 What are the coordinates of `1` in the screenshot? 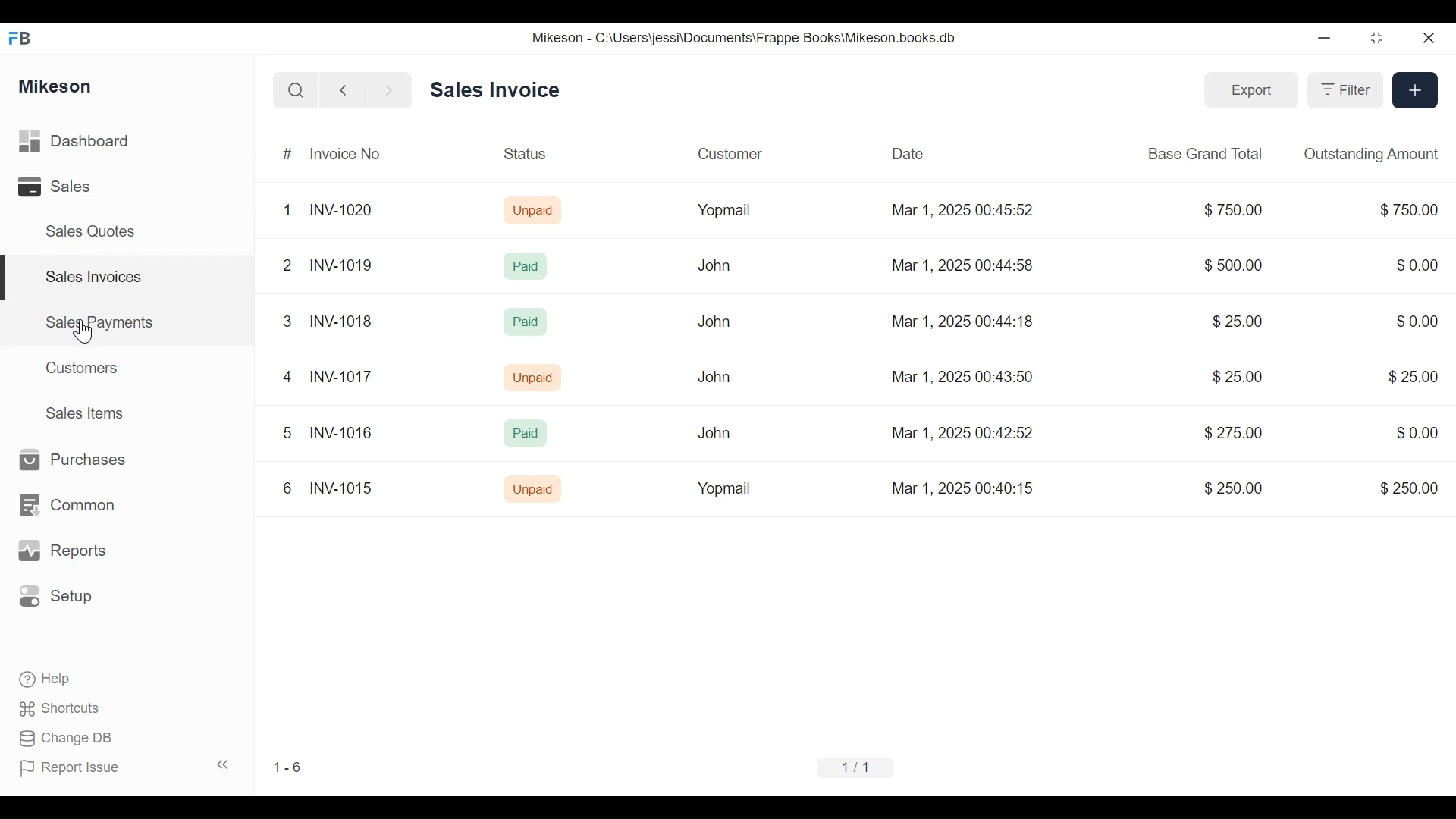 It's located at (287, 210).